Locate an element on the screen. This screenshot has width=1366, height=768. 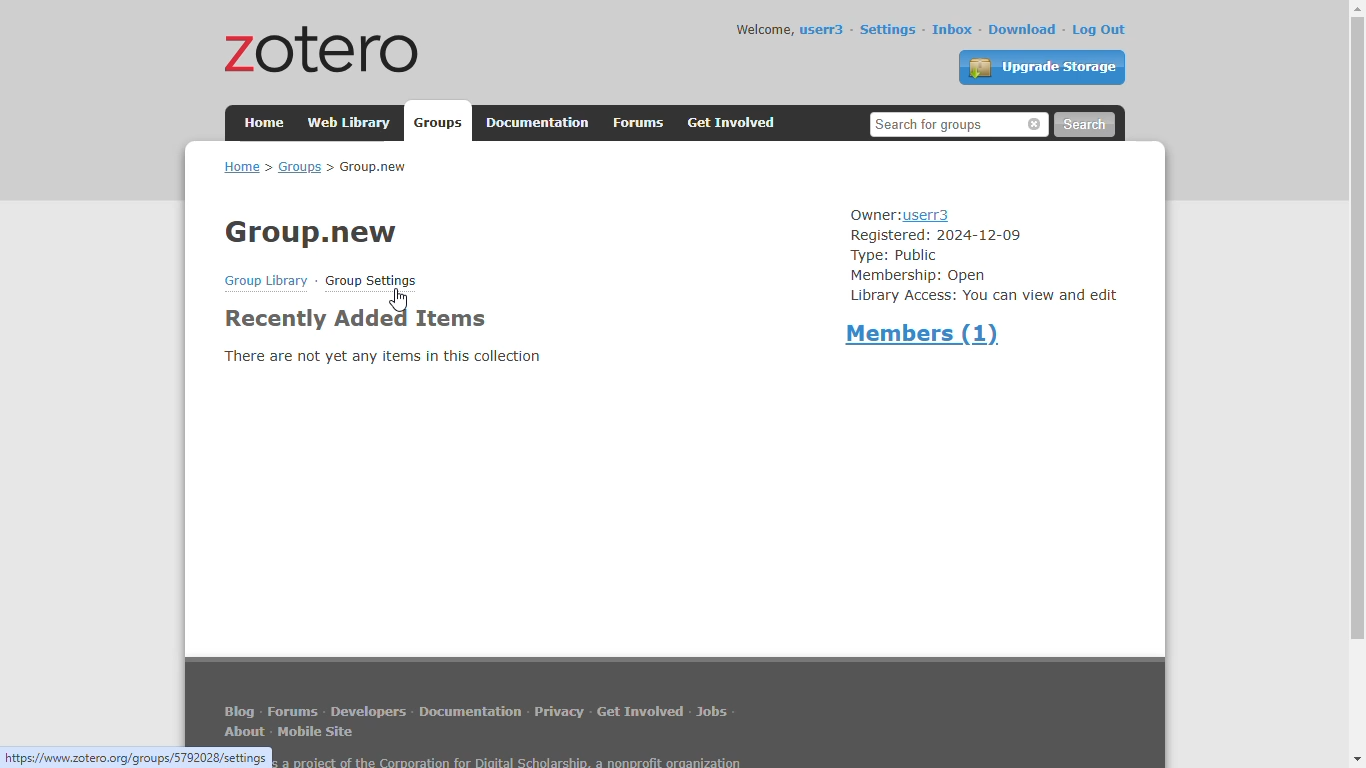
library access: you can view and edit is located at coordinates (985, 297).